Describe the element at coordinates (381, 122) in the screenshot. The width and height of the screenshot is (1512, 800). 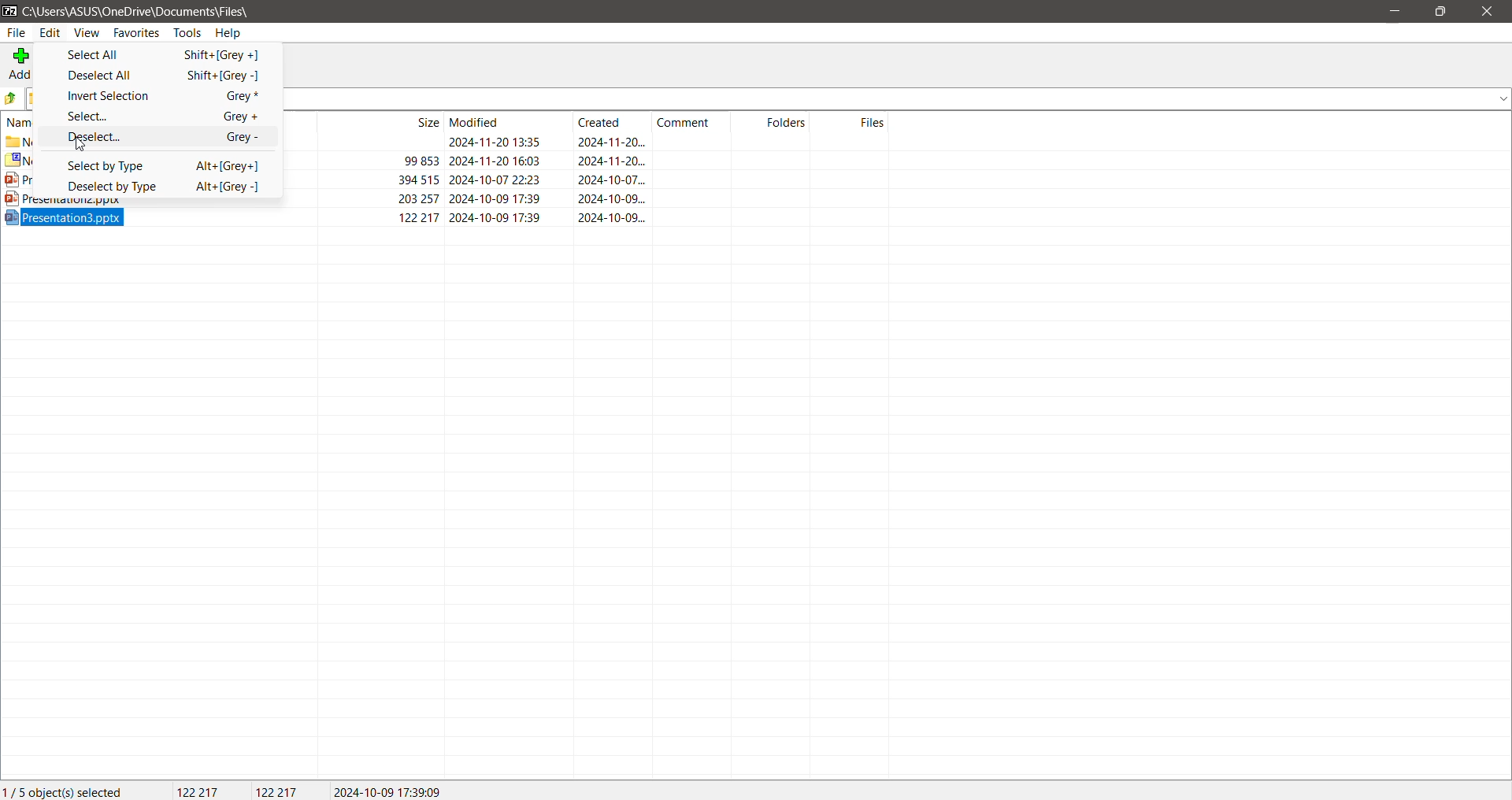
I see `File Sizes` at that location.